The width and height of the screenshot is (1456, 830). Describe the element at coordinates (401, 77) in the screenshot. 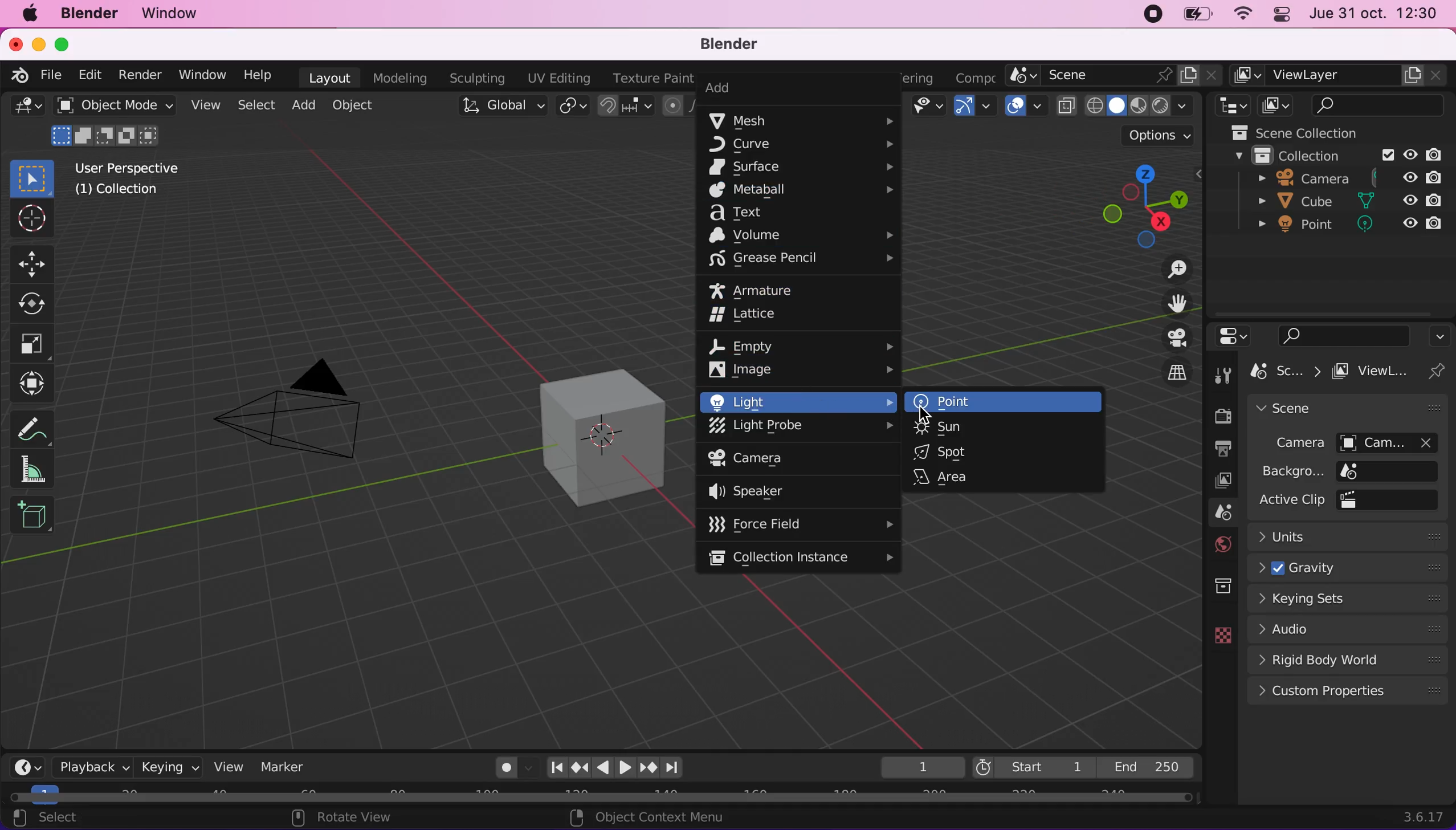

I see `modeling` at that location.